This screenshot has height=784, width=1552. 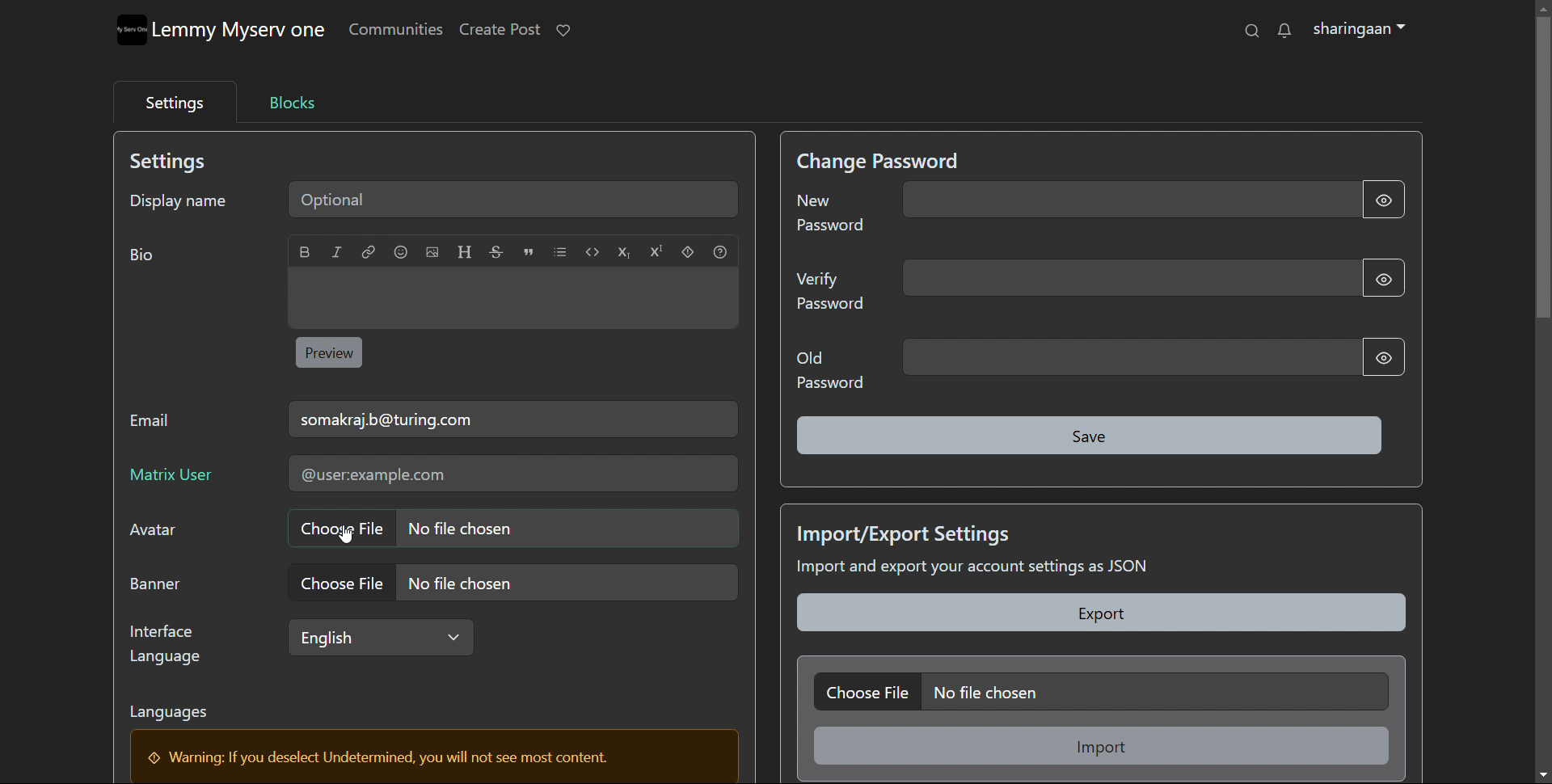 I want to click on Settings, so click(x=180, y=162).